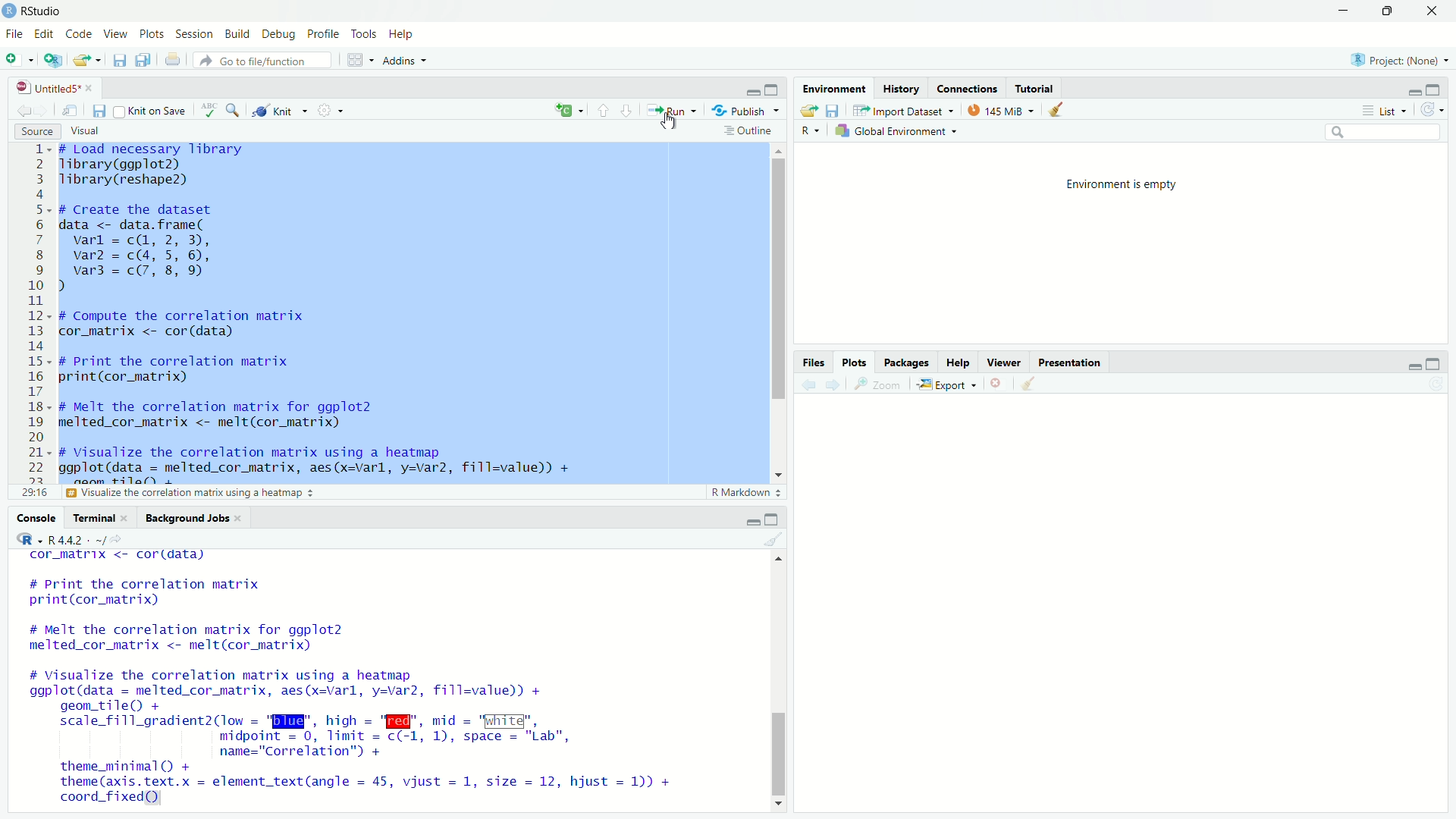 Image resolution: width=1456 pixels, height=819 pixels. Describe the element at coordinates (1031, 383) in the screenshot. I see `clear plots` at that location.